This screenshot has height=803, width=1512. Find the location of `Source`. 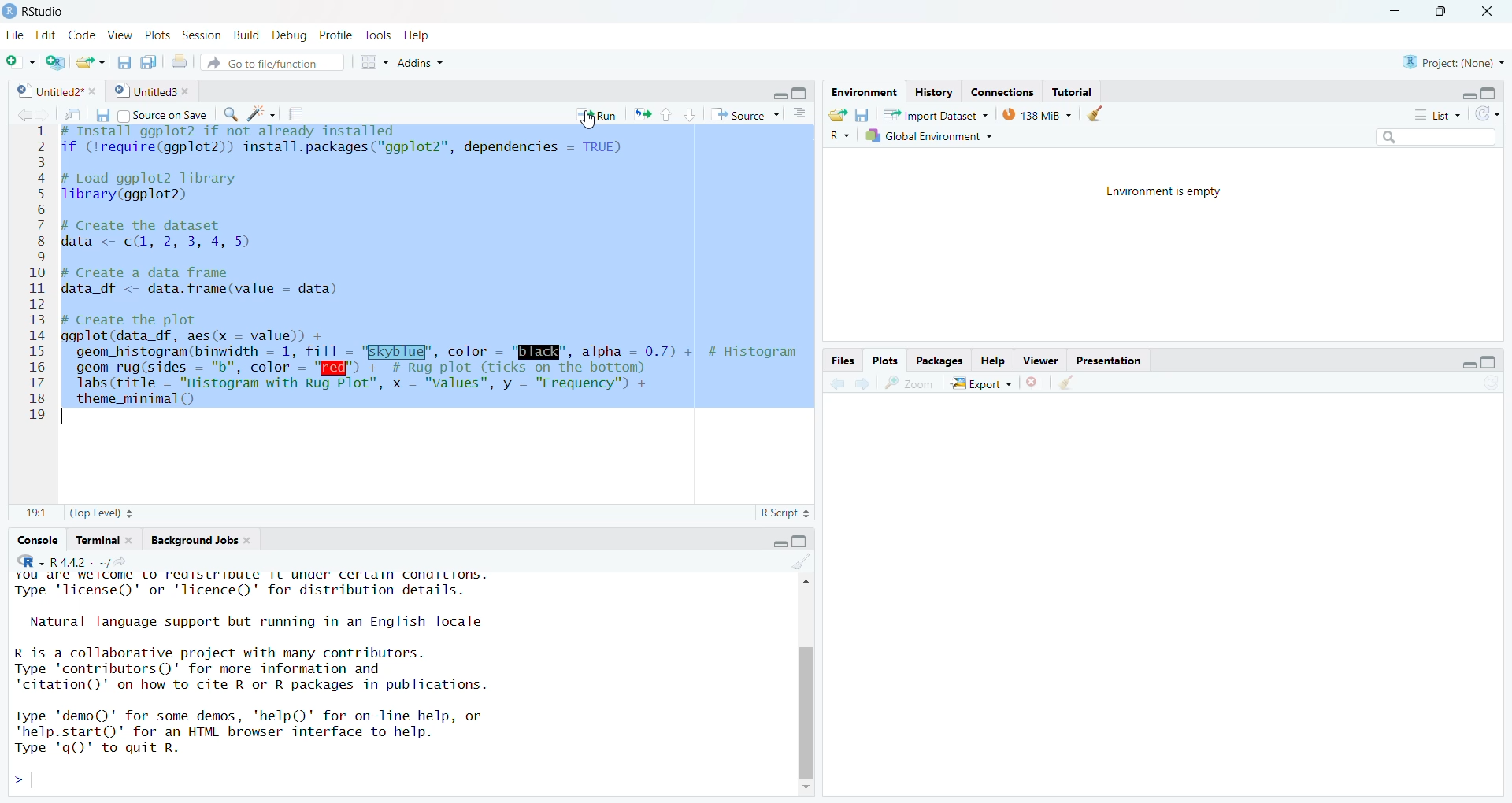

Source is located at coordinates (743, 116).